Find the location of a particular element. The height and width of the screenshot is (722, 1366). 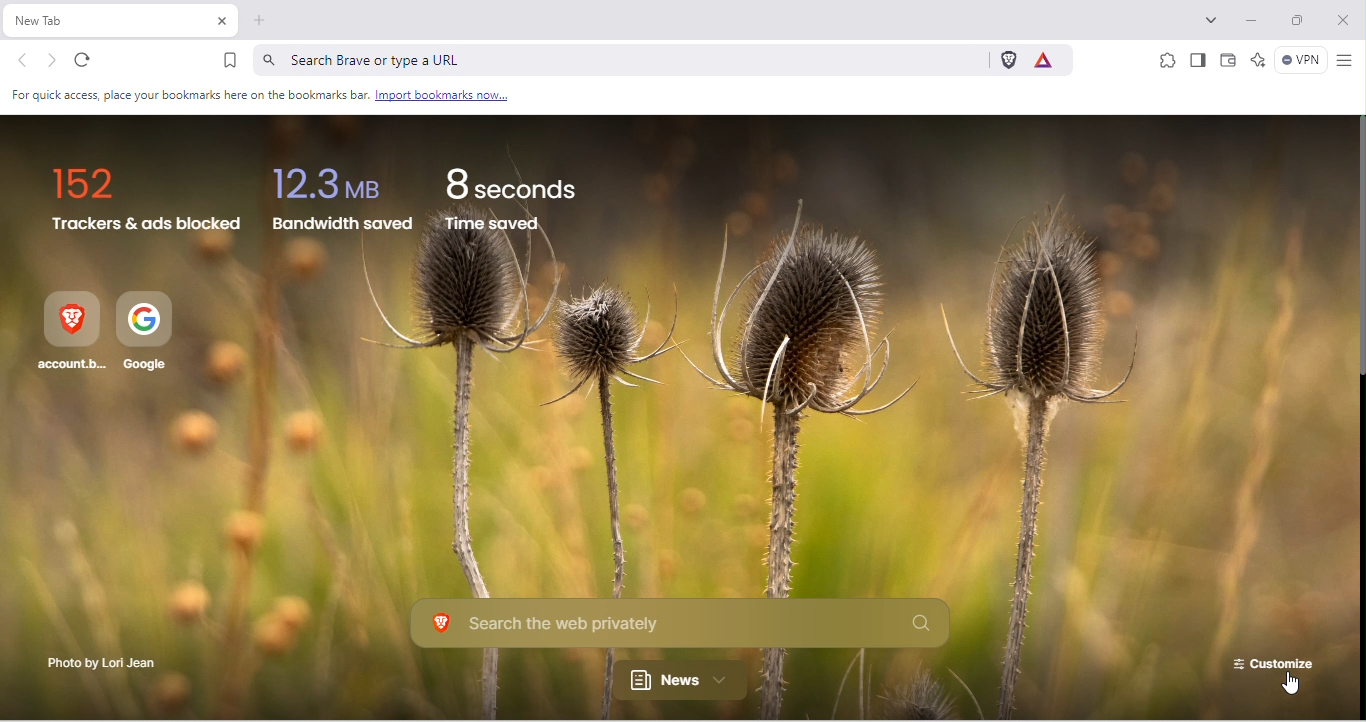

Customize is located at coordinates (1270, 660).